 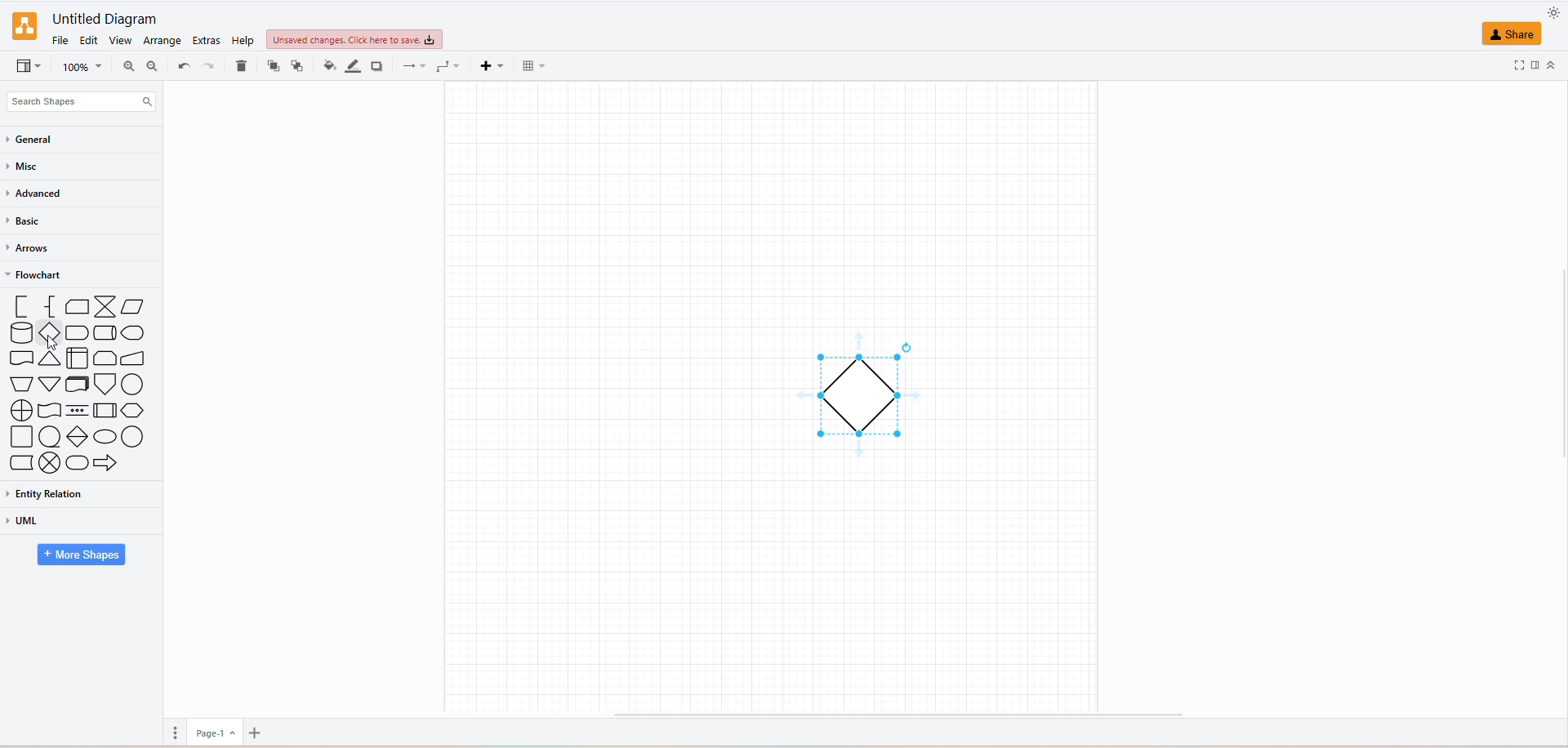 I want to click on MORE SHAPES, so click(x=79, y=554).